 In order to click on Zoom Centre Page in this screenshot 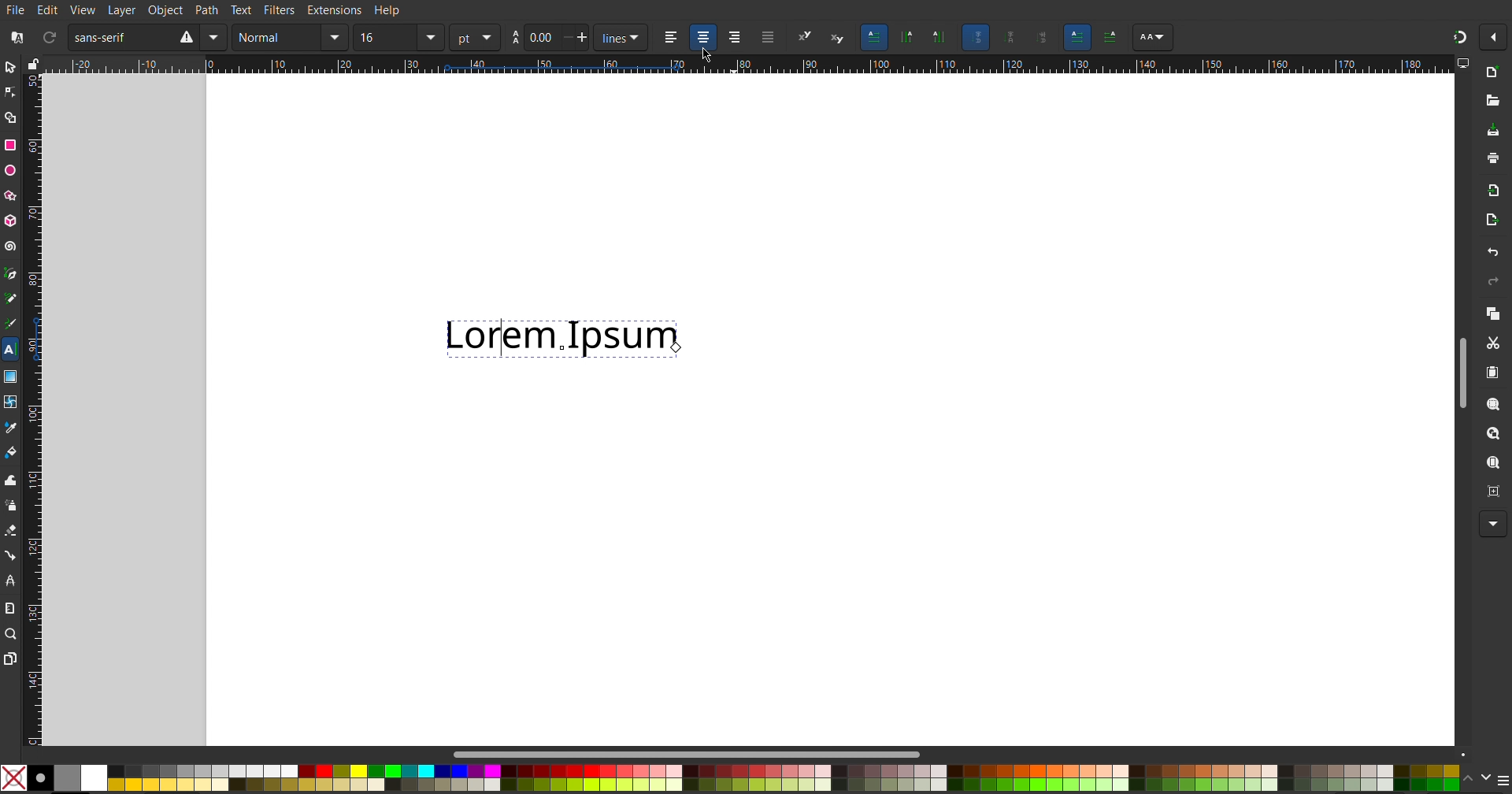, I will do `click(1492, 492)`.